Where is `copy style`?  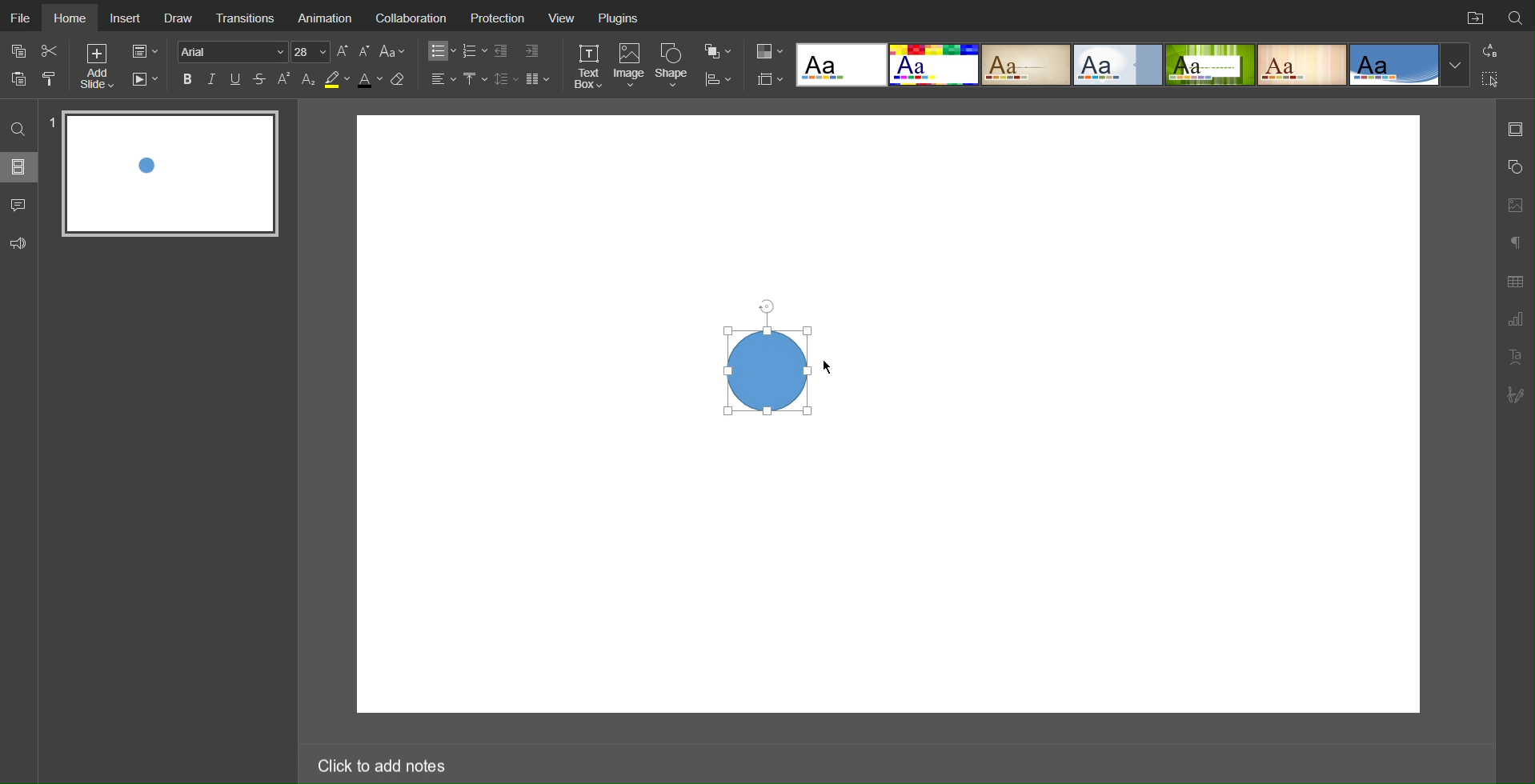
copy style is located at coordinates (55, 78).